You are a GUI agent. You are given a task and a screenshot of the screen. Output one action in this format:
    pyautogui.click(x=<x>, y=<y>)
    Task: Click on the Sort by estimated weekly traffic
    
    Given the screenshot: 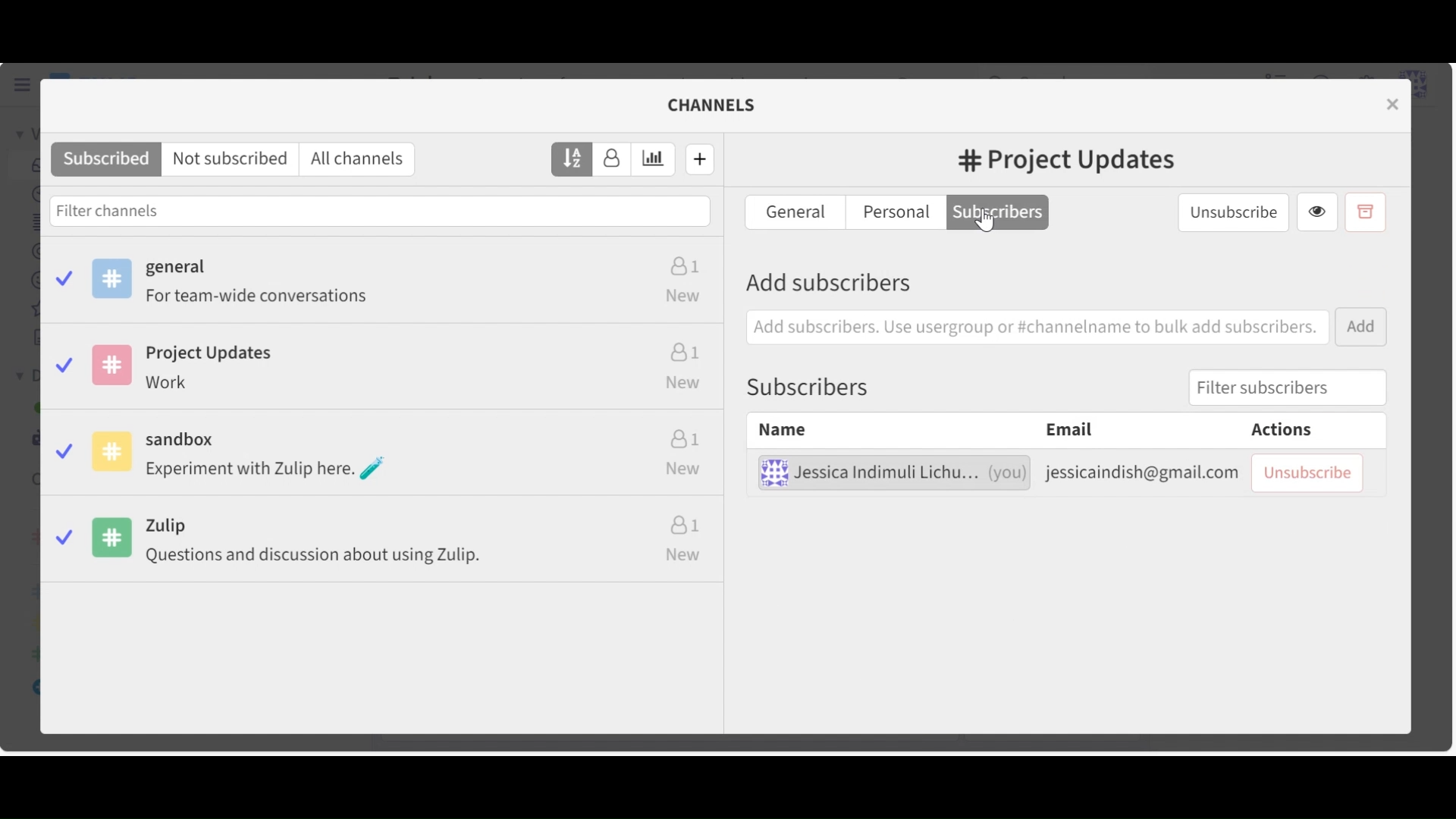 What is the action you would take?
    pyautogui.click(x=657, y=159)
    